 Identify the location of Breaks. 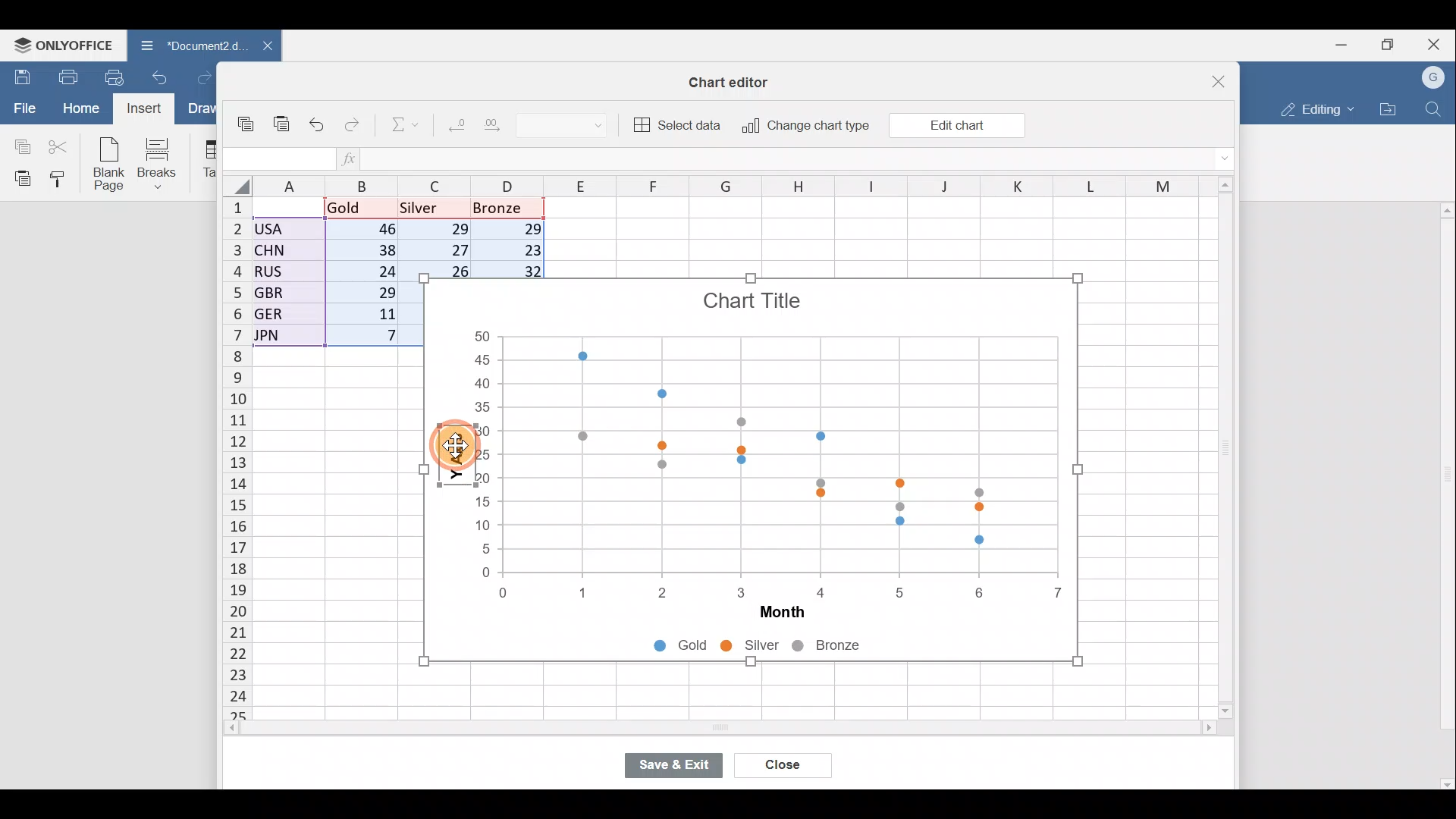
(165, 162).